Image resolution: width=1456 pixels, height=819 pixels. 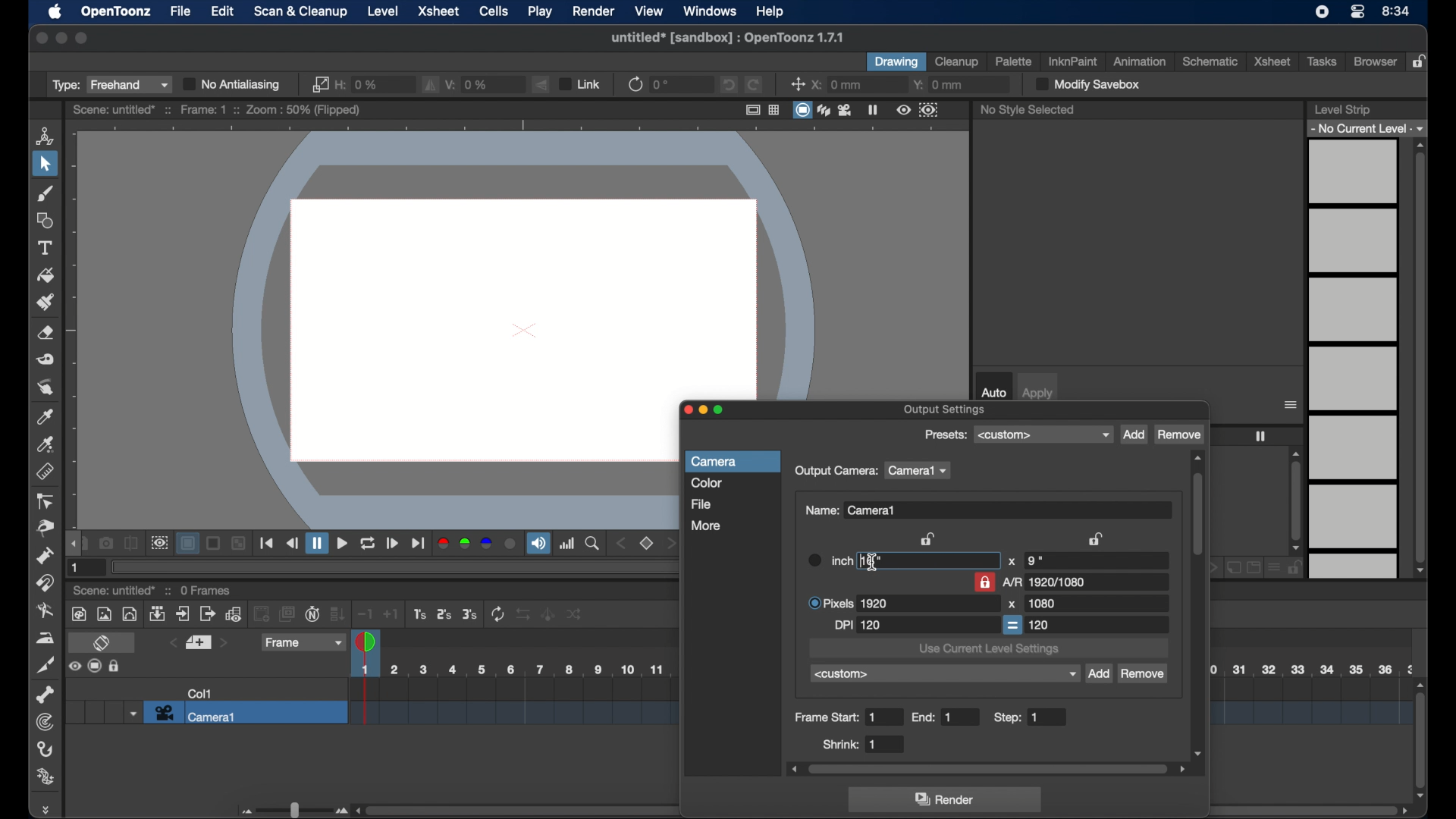 What do you see at coordinates (45, 301) in the screenshot?
I see `paint brush tool` at bounding box center [45, 301].